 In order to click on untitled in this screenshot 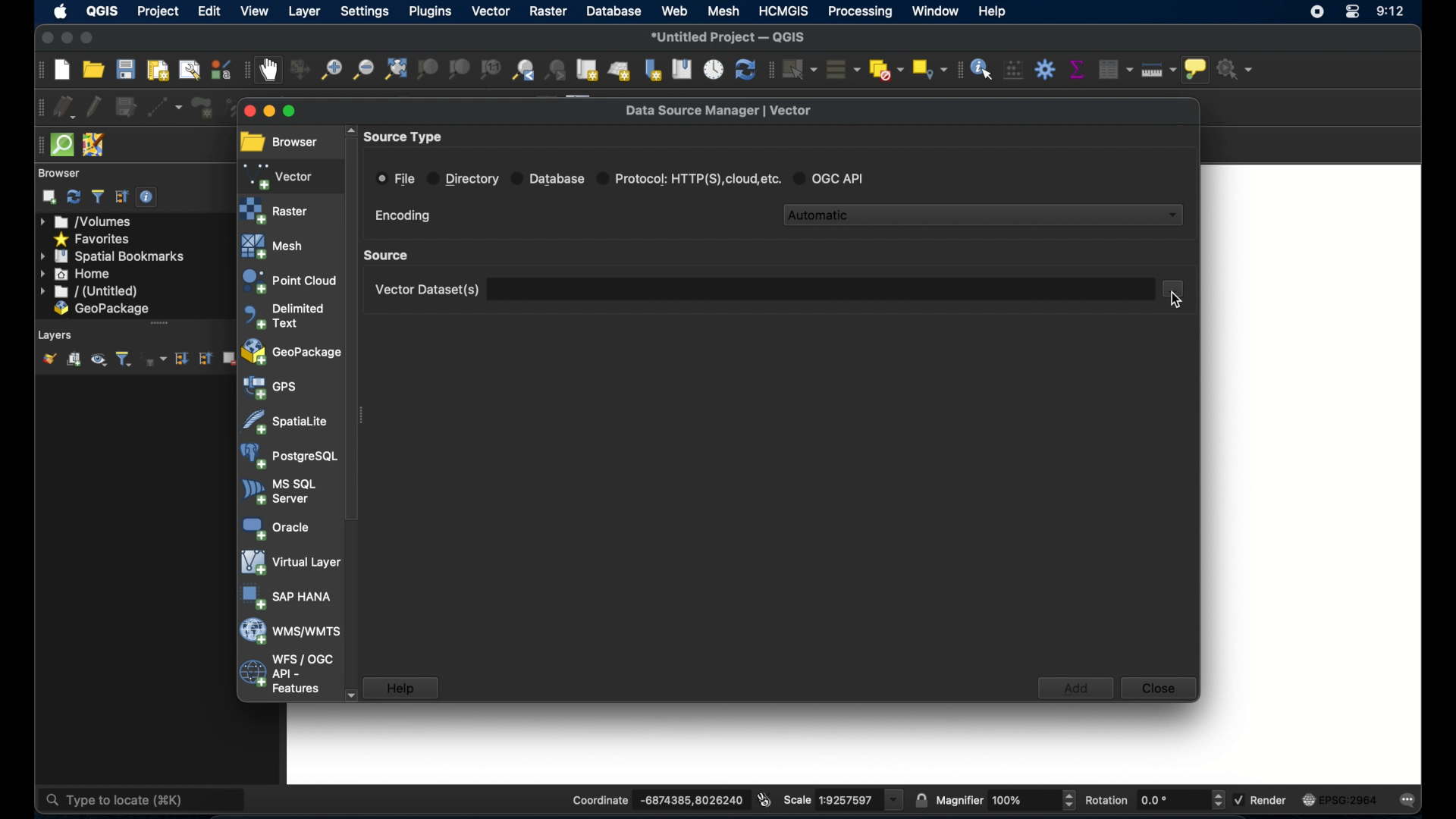, I will do `click(89, 292)`.